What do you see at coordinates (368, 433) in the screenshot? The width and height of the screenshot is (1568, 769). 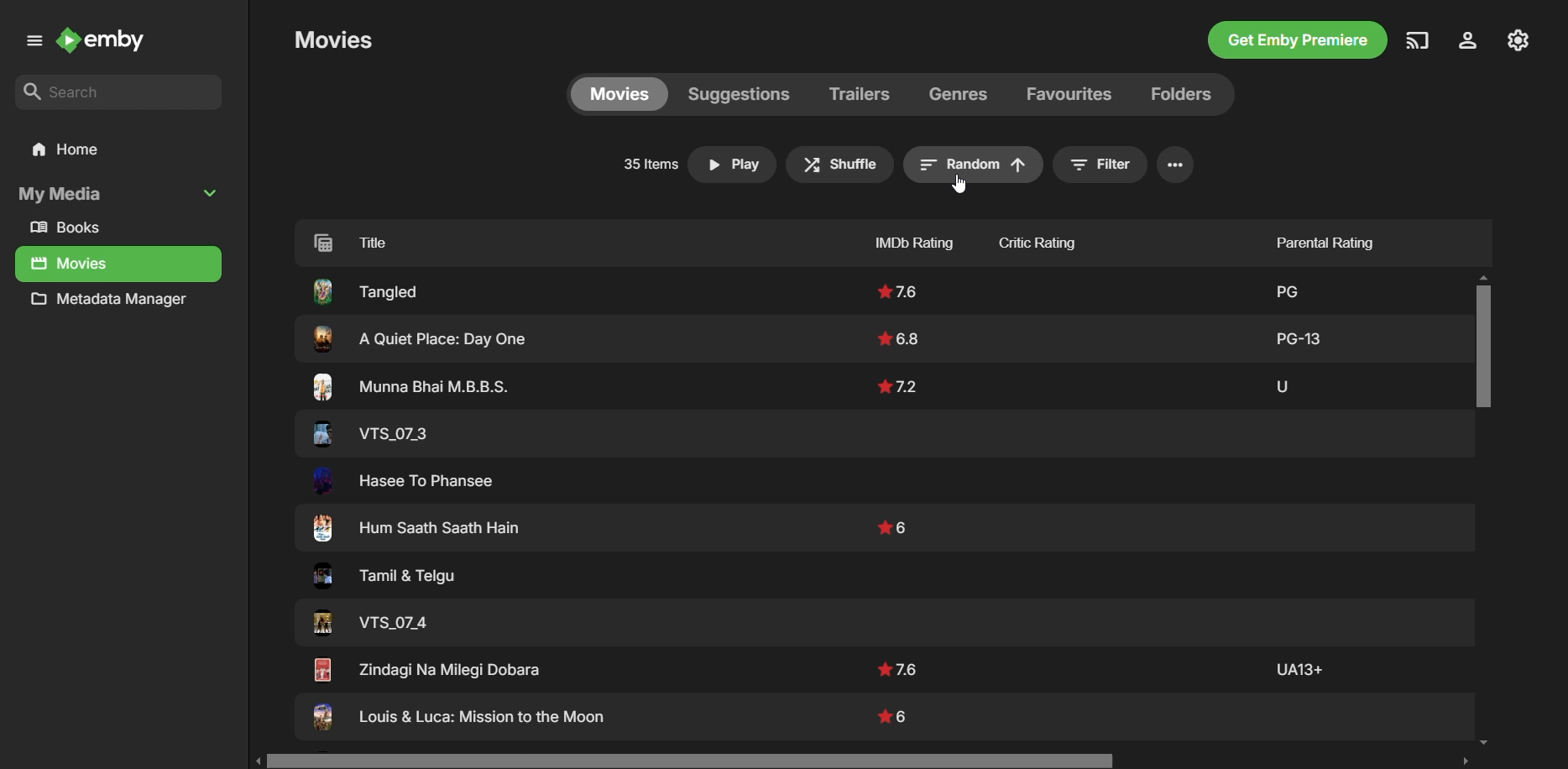 I see `` at bounding box center [368, 433].